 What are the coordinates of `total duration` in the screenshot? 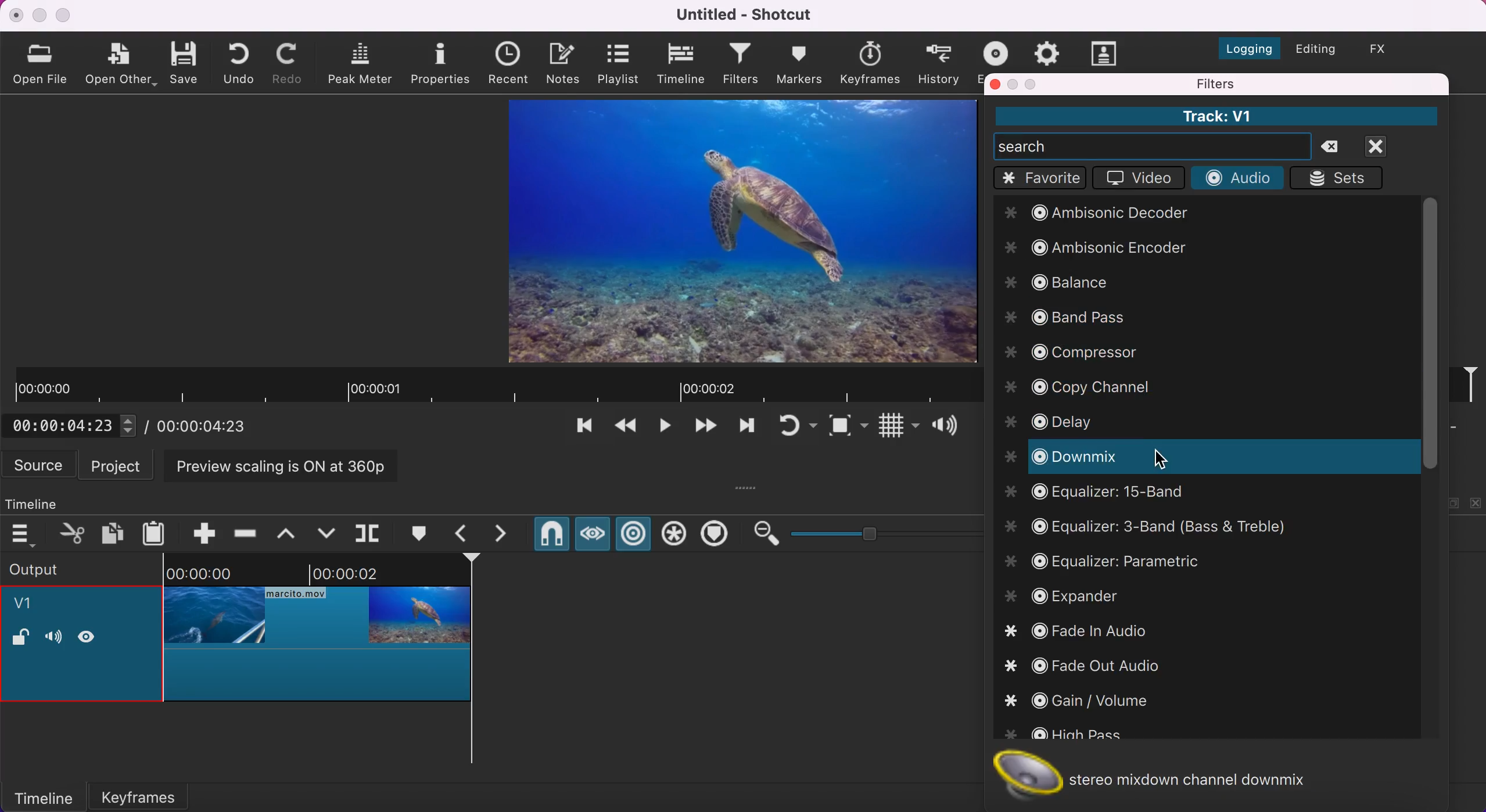 It's located at (208, 426).